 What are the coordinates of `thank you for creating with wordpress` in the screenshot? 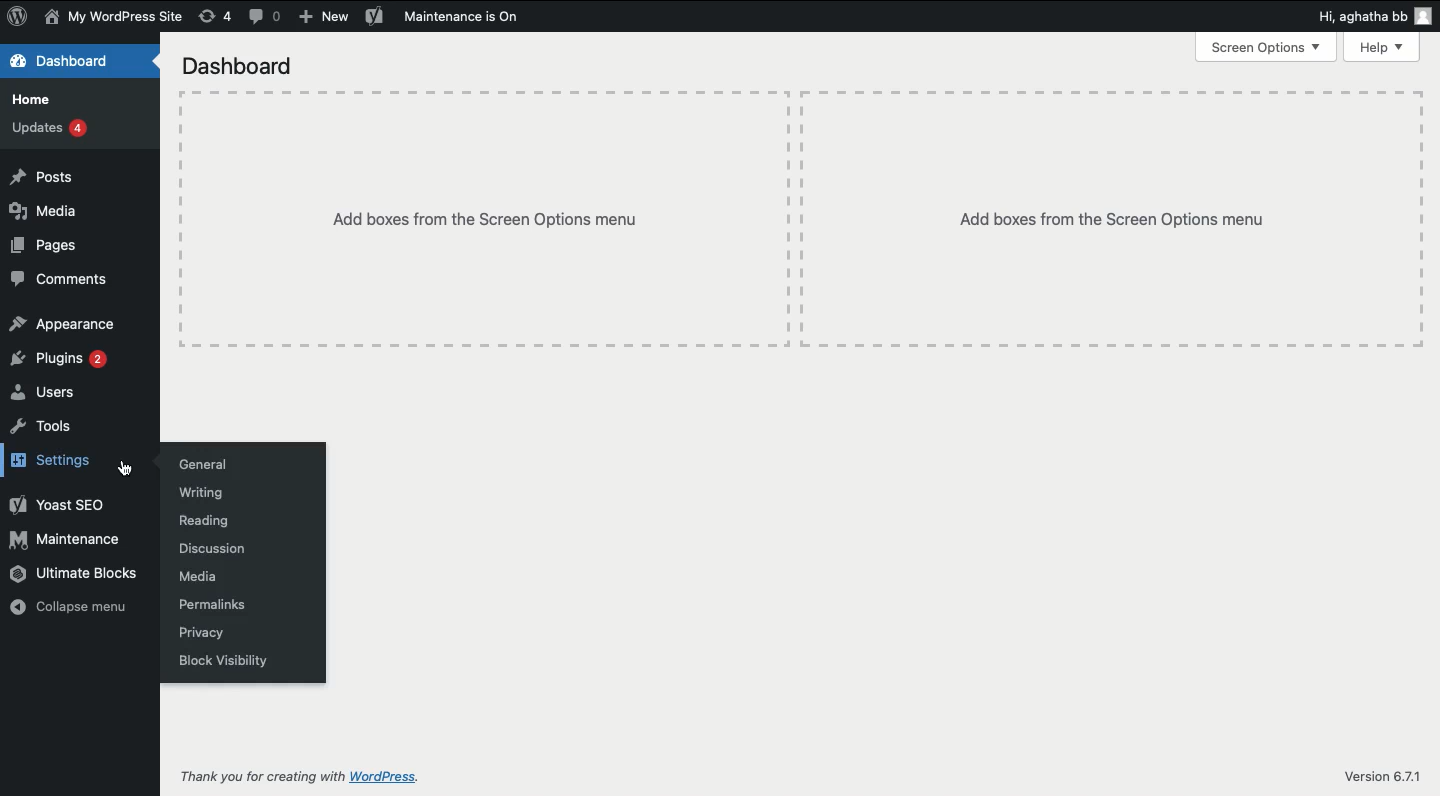 It's located at (301, 777).